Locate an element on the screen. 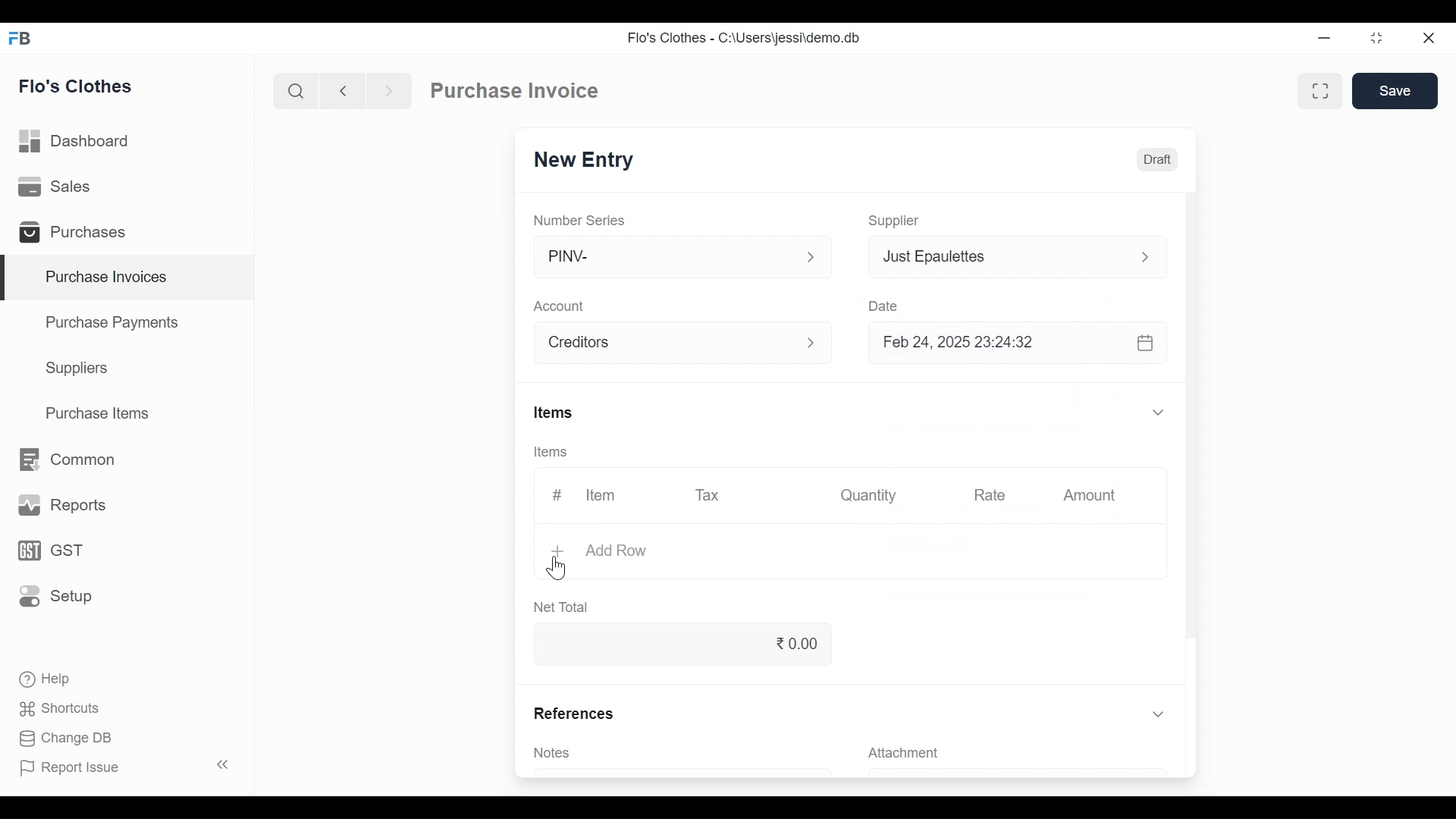  Help is located at coordinates (50, 679).